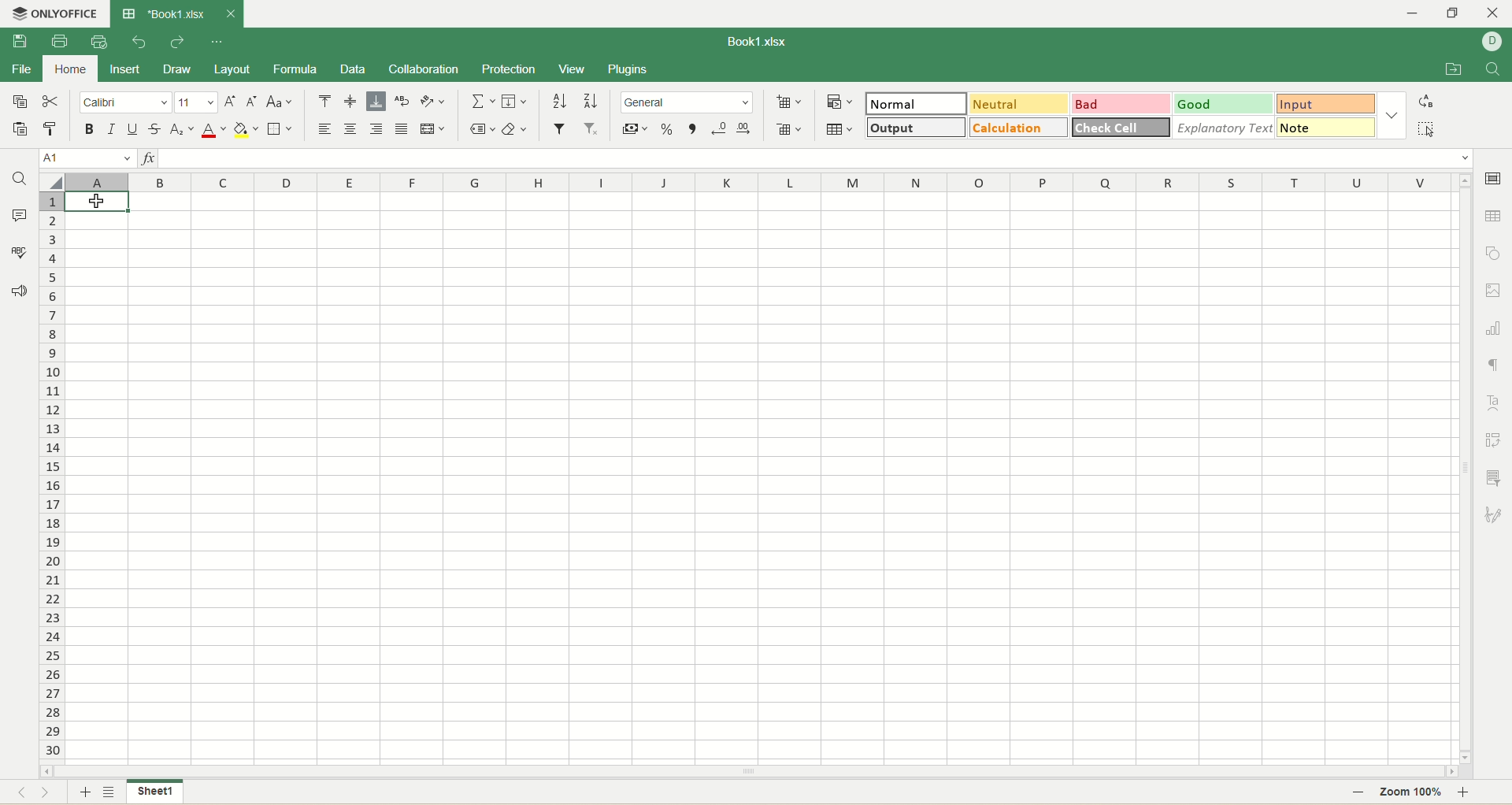  I want to click on row number, so click(50, 476).